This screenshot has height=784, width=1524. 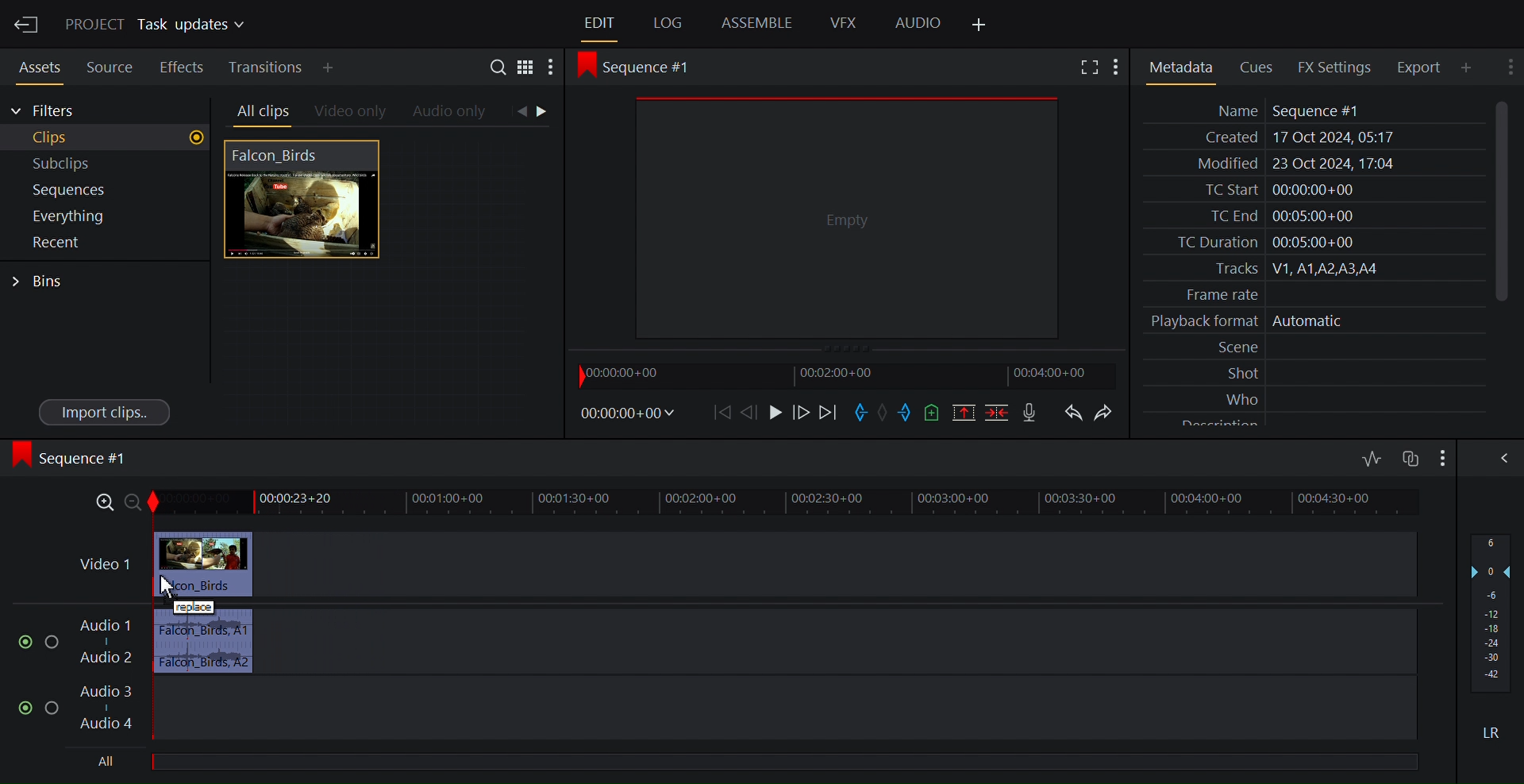 What do you see at coordinates (1073, 413) in the screenshot?
I see `Undo ` at bounding box center [1073, 413].